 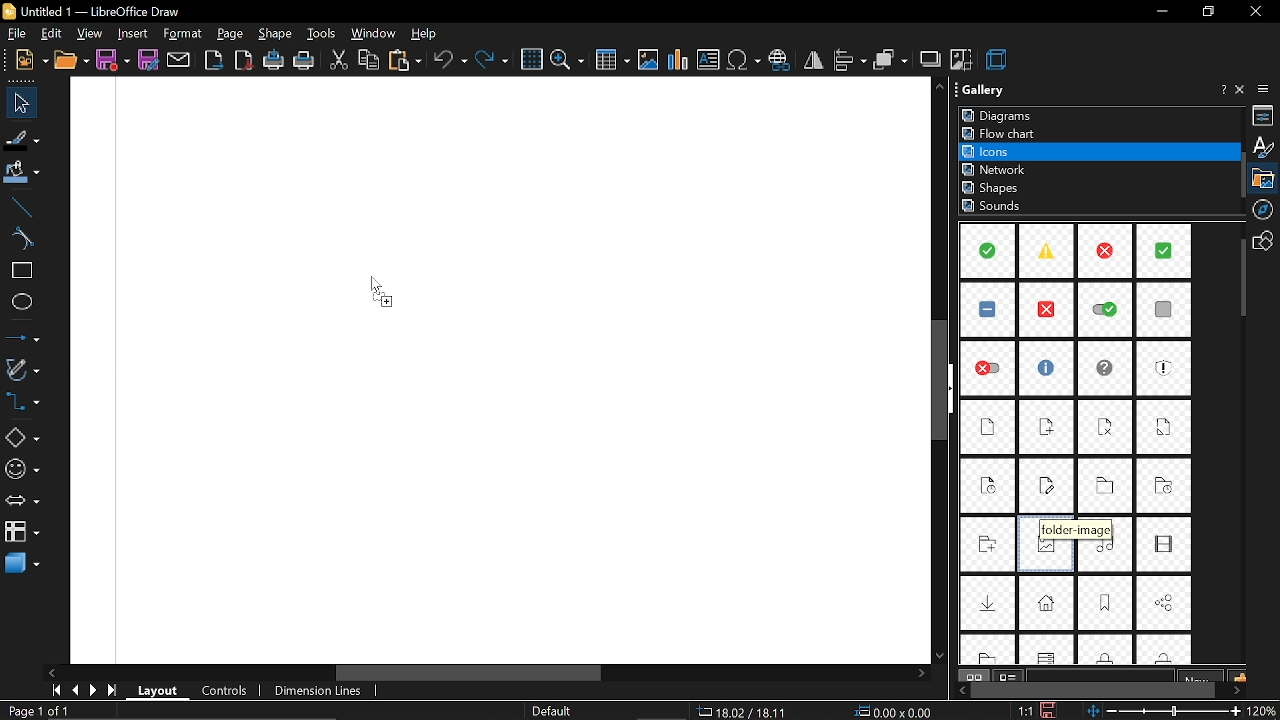 What do you see at coordinates (531, 59) in the screenshot?
I see `grid` at bounding box center [531, 59].